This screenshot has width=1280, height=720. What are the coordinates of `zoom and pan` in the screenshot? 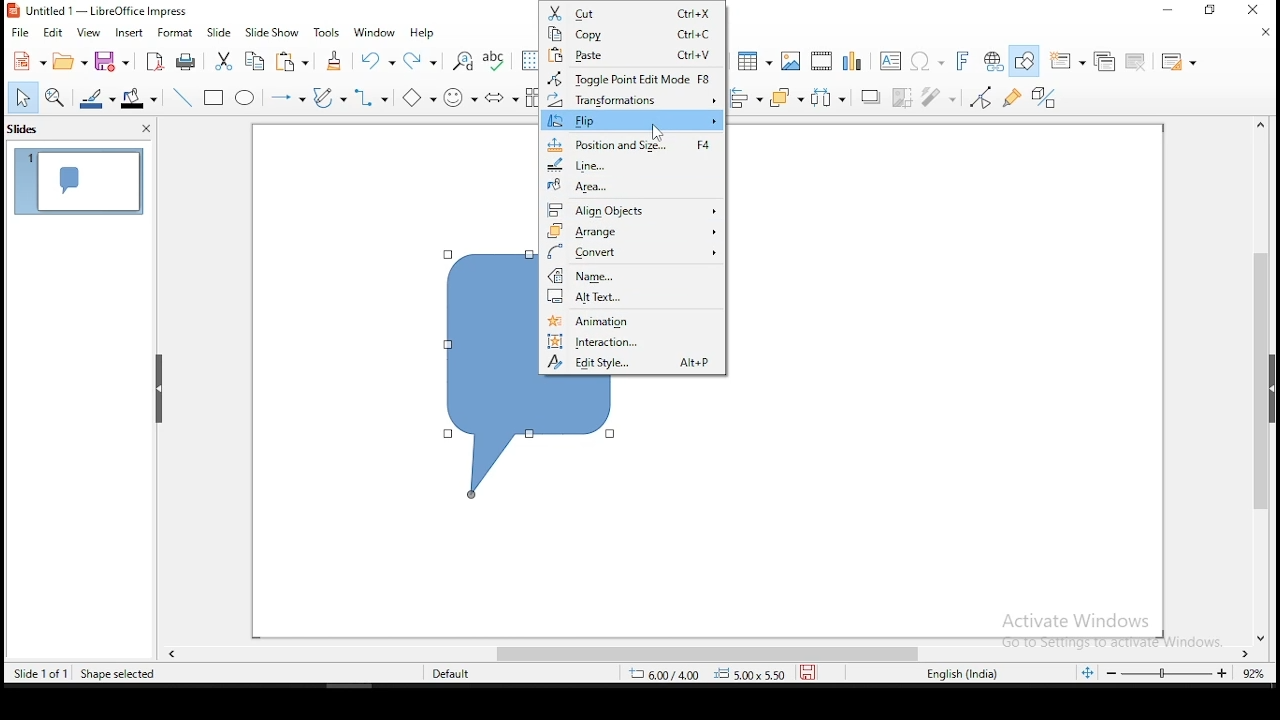 It's located at (56, 99).